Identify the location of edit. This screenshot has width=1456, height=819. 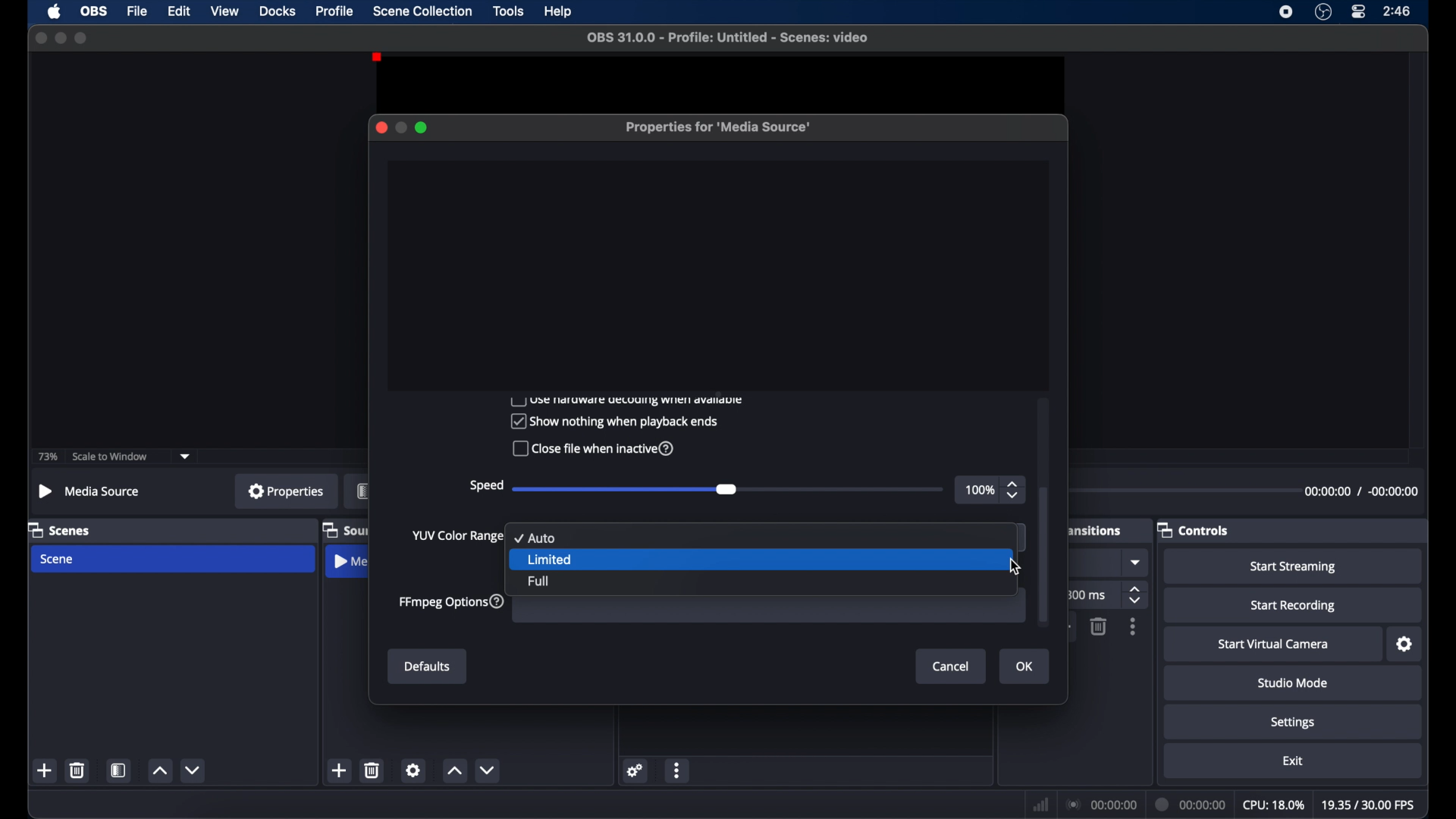
(179, 11).